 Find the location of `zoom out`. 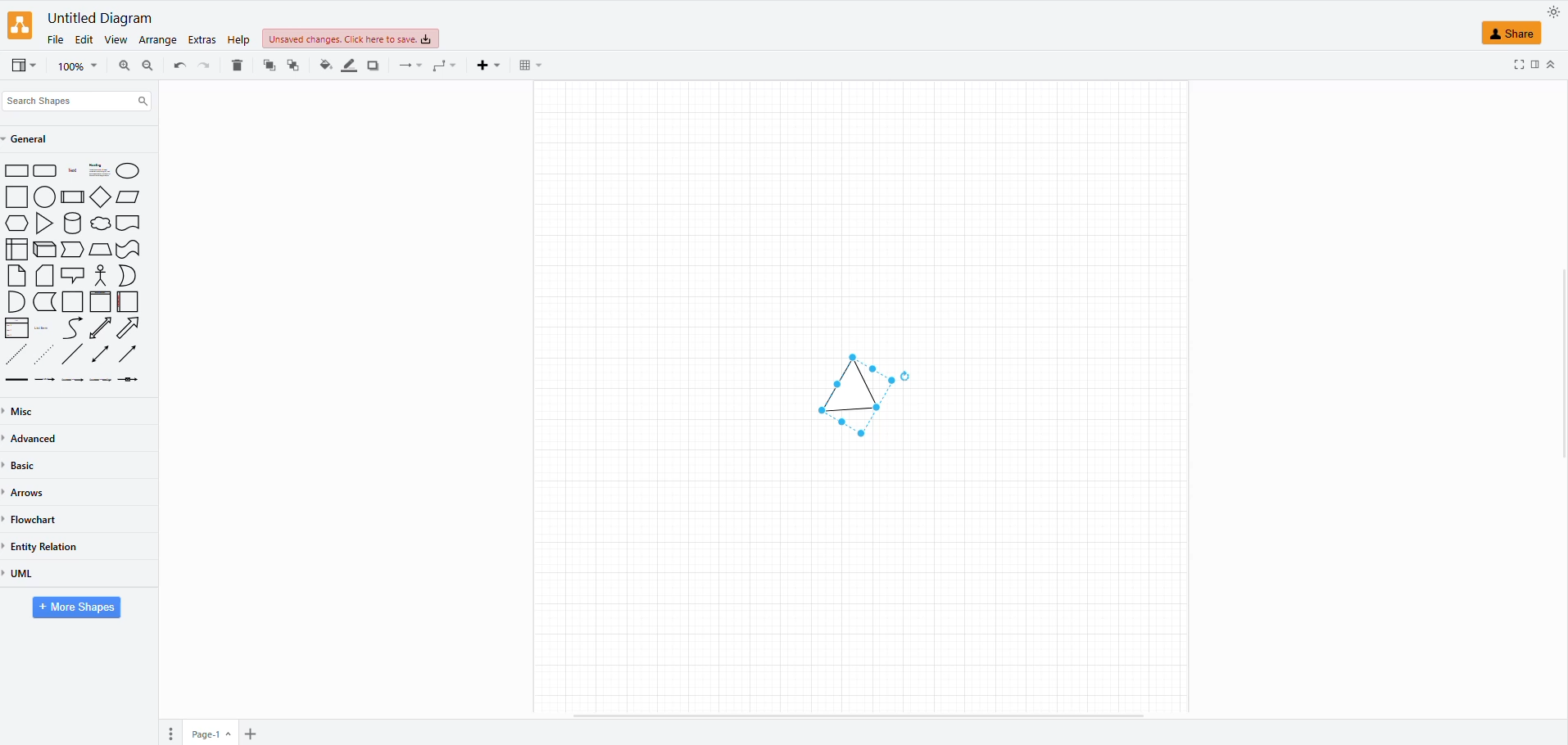

zoom out is located at coordinates (122, 63).